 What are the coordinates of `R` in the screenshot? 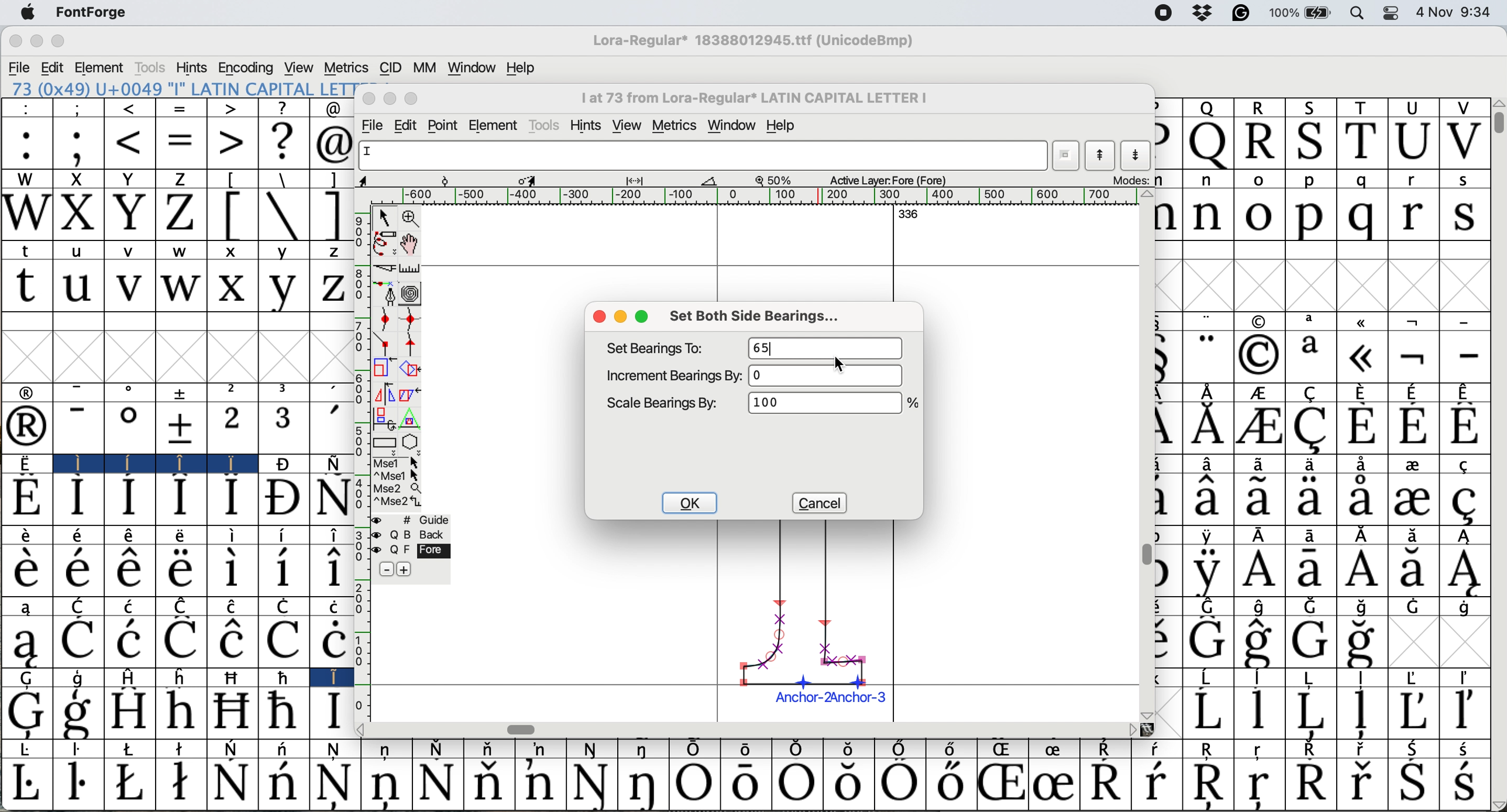 It's located at (1261, 143).